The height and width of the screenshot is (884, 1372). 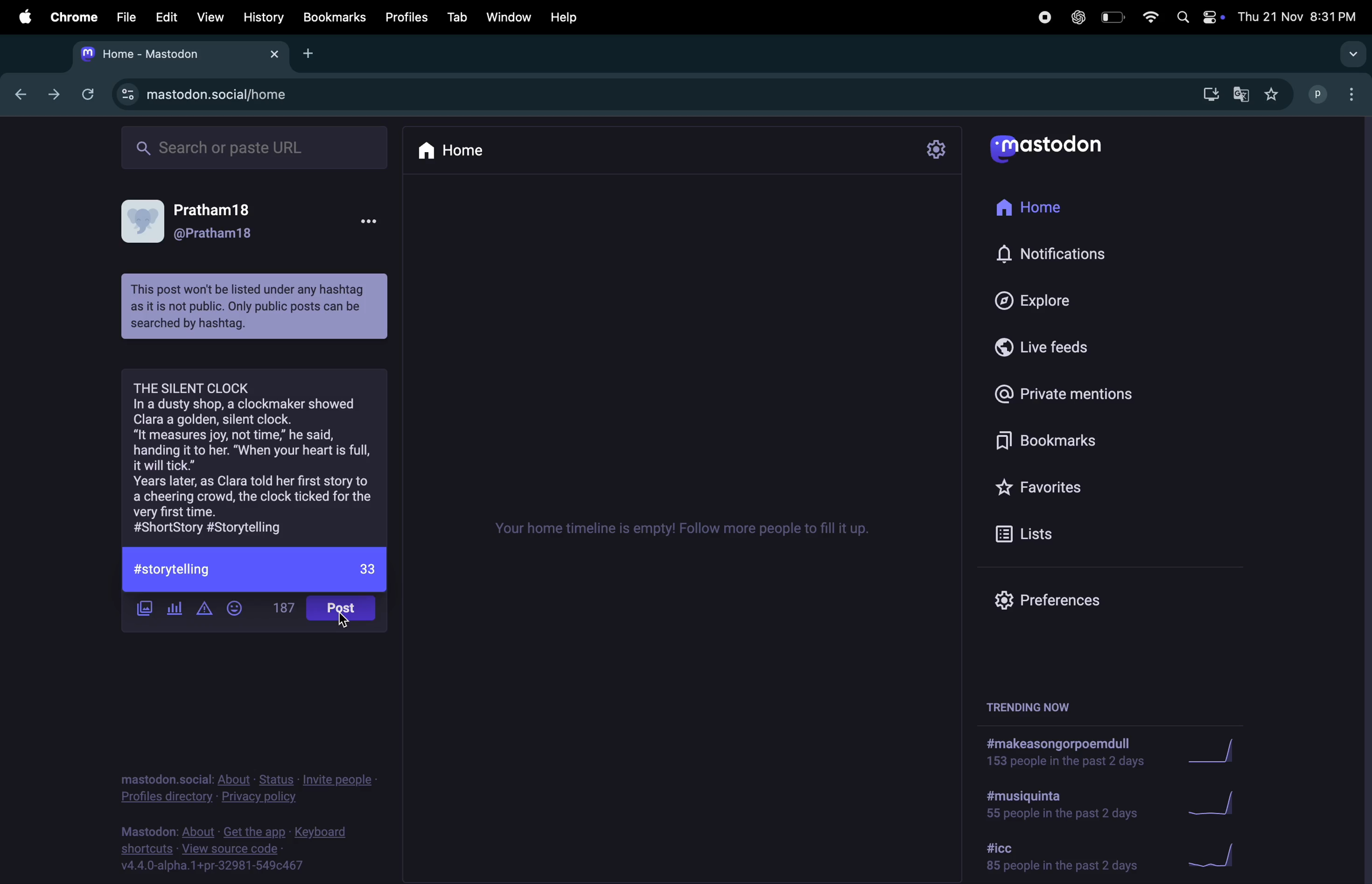 I want to click on chatgpt, so click(x=1076, y=17).